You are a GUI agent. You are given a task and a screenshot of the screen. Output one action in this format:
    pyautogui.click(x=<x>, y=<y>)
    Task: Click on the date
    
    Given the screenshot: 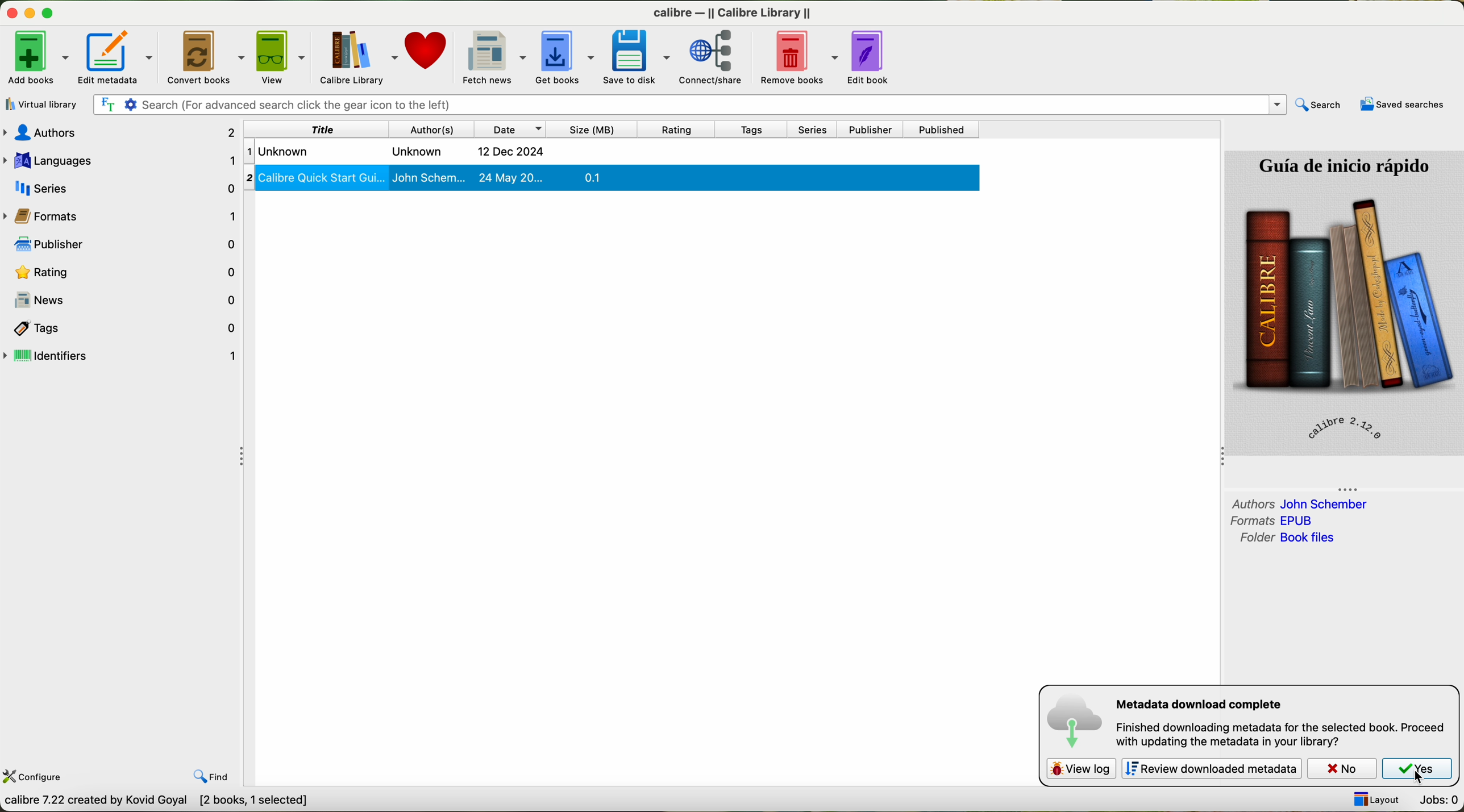 What is the action you would take?
    pyautogui.click(x=510, y=129)
    